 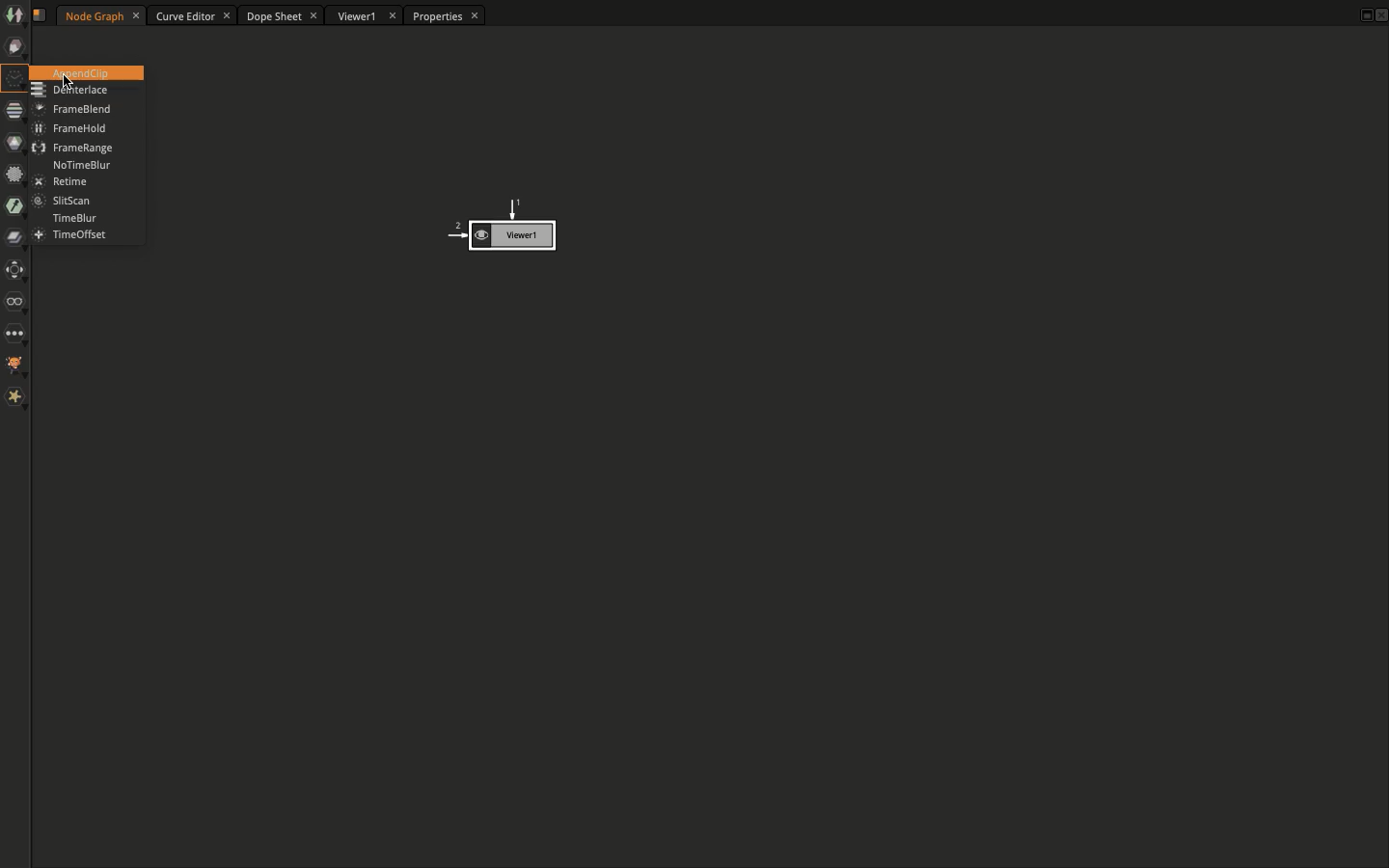 I want to click on FrameRange, so click(x=73, y=146).